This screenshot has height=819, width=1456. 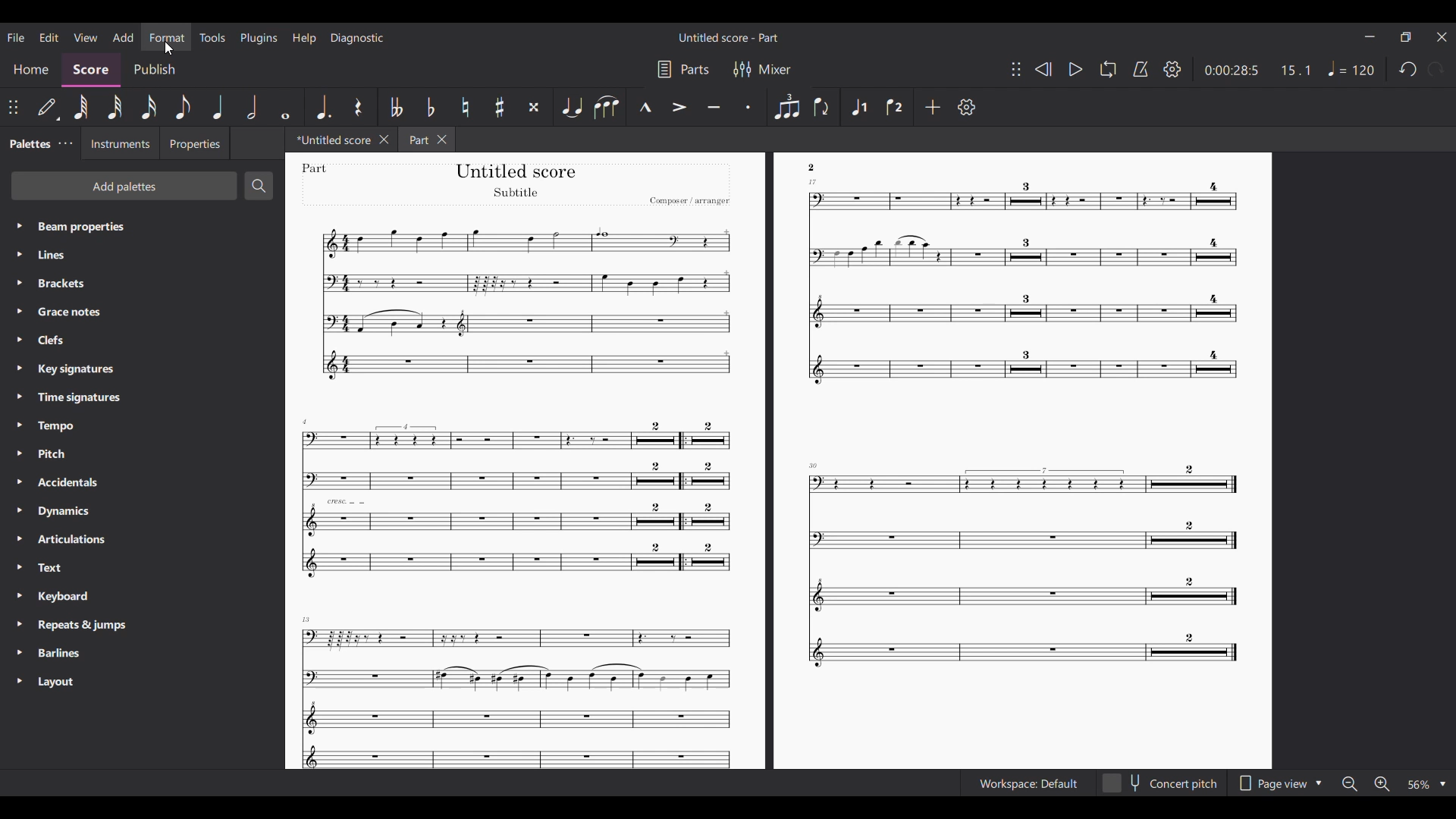 I want to click on Edit menu, so click(x=49, y=36).